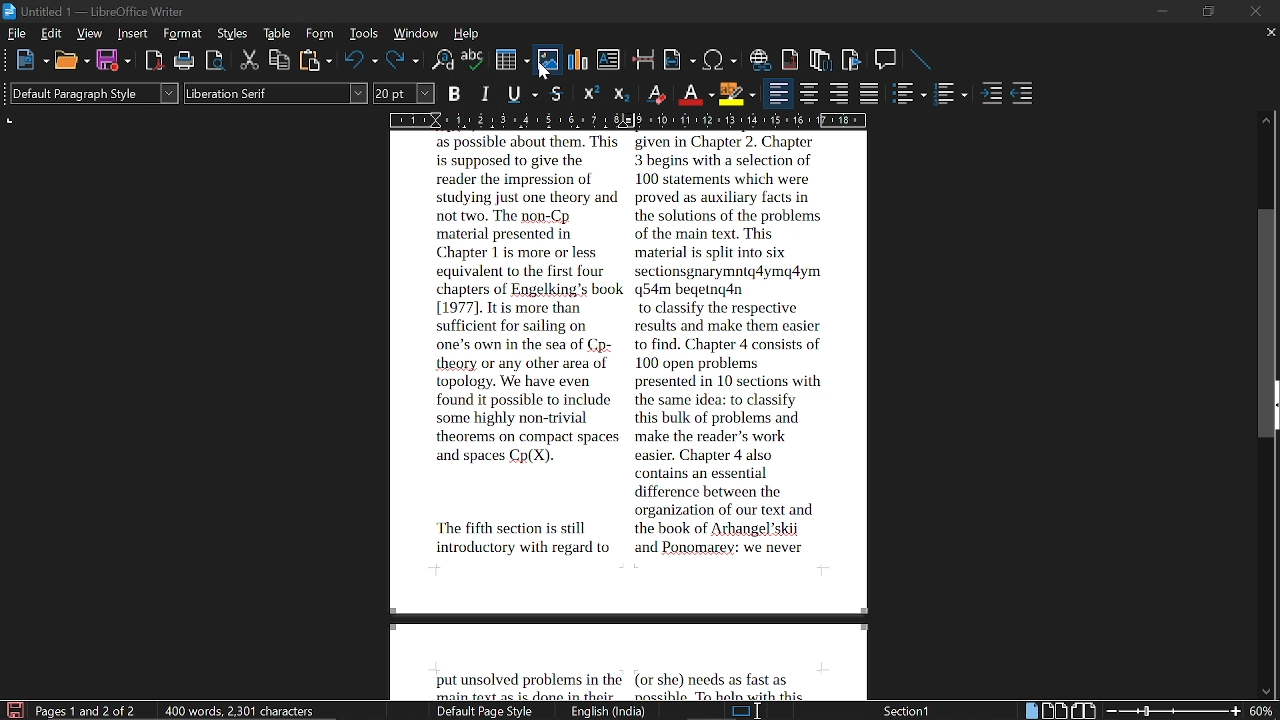 This screenshot has height=720, width=1280. Describe the element at coordinates (911, 94) in the screenshot. I see `toggle unordered list` at that location.